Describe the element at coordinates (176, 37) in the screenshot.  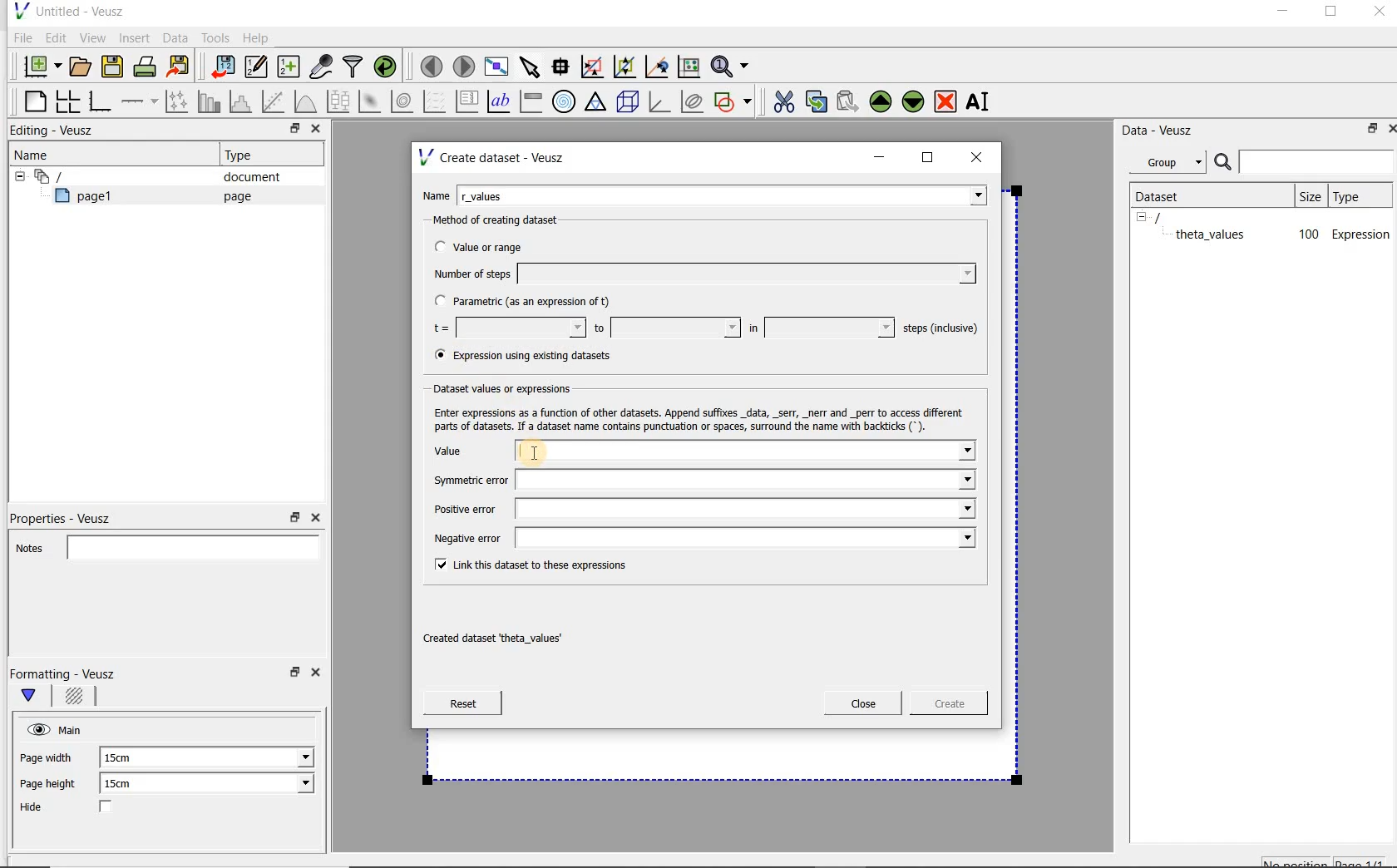
I see `Data` at that location.